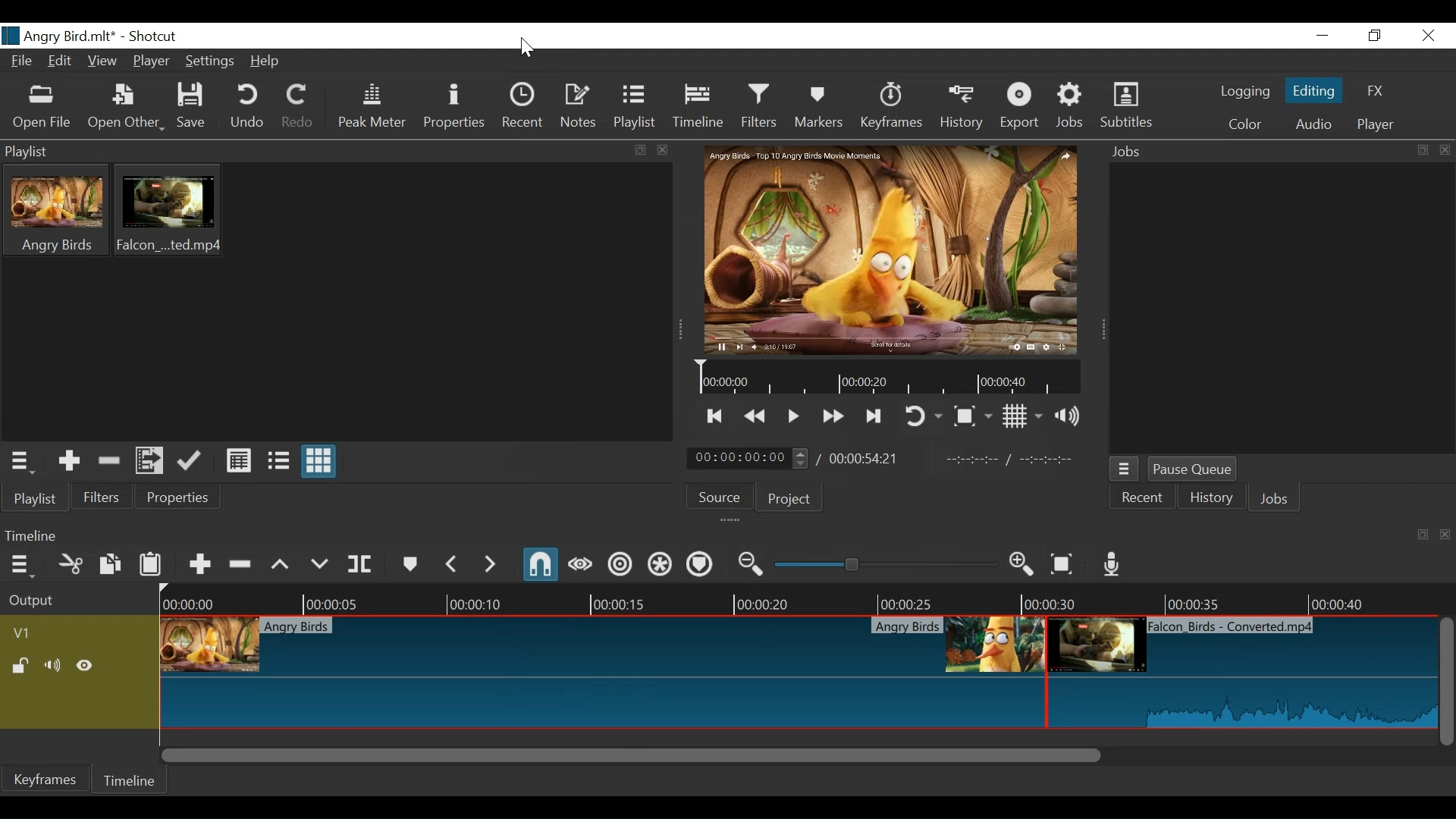  What do you see at coordinates (24, 566) in the screenshot?
I see `Timeline menu` at bounding box center [24, 566].